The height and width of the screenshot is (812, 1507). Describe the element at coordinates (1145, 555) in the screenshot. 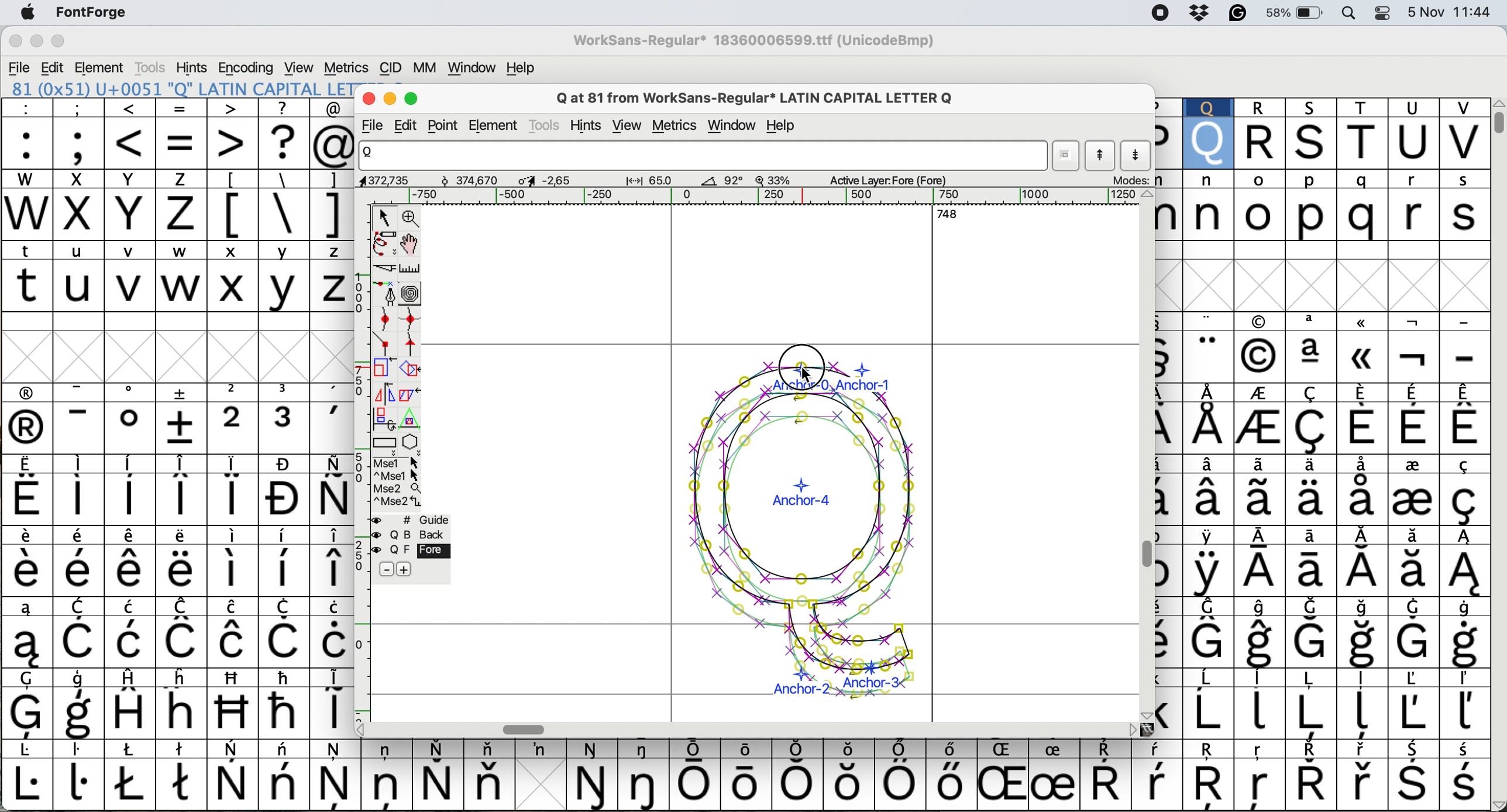

I see `vertical scroll bar` at that location.